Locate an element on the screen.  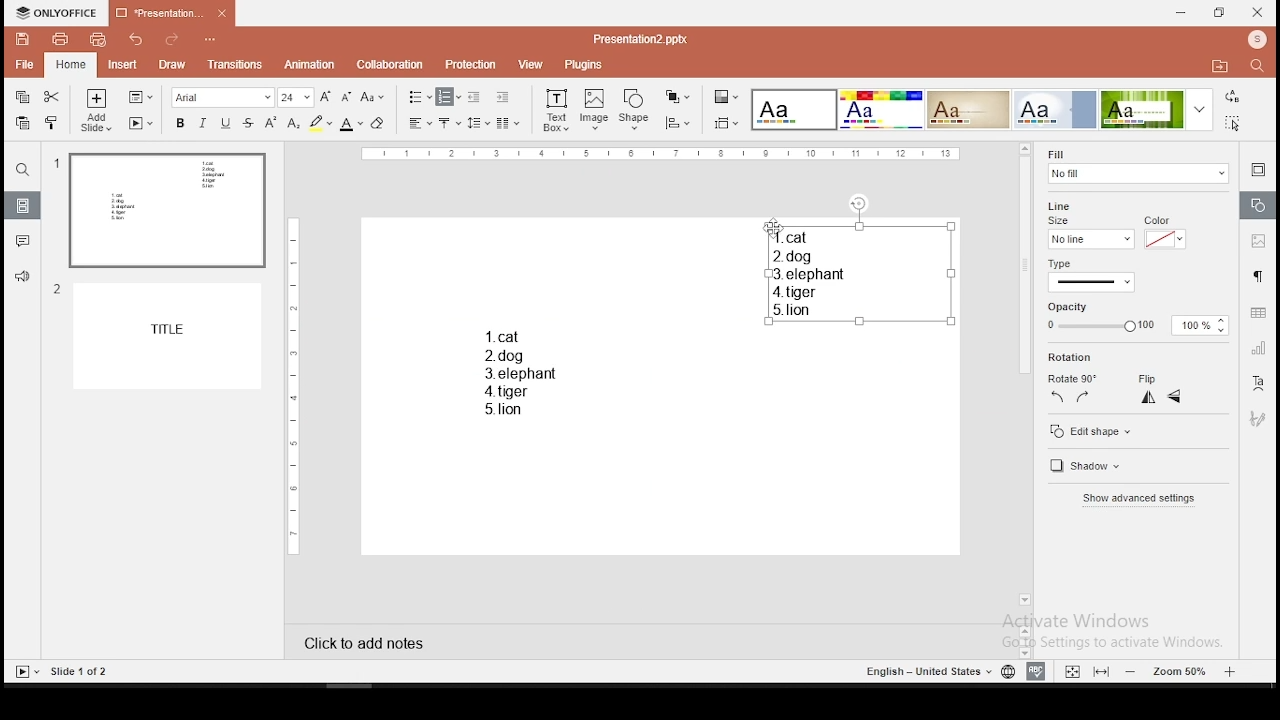
increase indent is located at coordinates (503, 96).